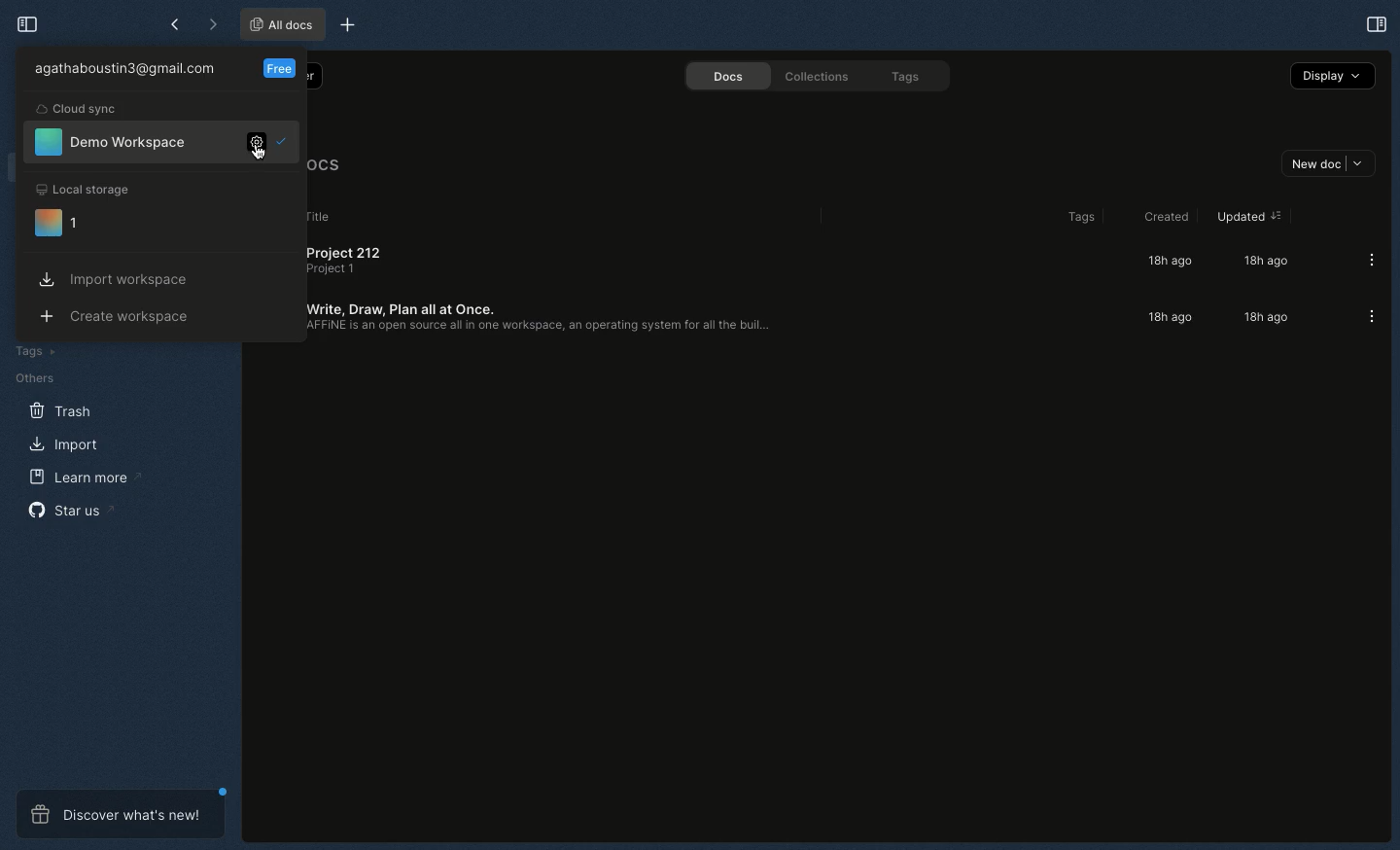 This screenshot has width=1400, height=850. Describe the element at coordinates (112, 143) in the screenshot. I see `Demo workspace` at that location.